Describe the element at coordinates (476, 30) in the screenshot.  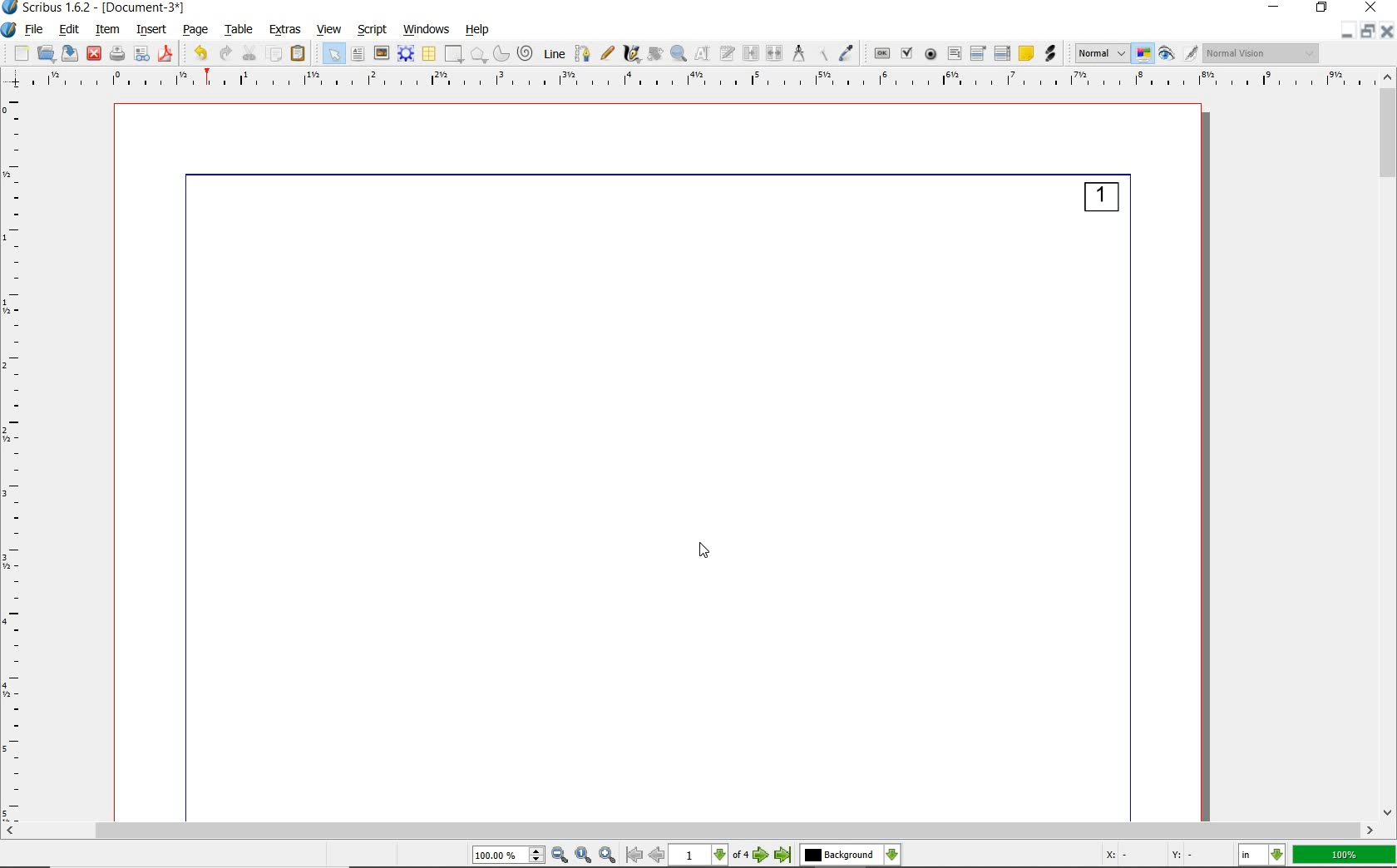
I see `help` at that location.